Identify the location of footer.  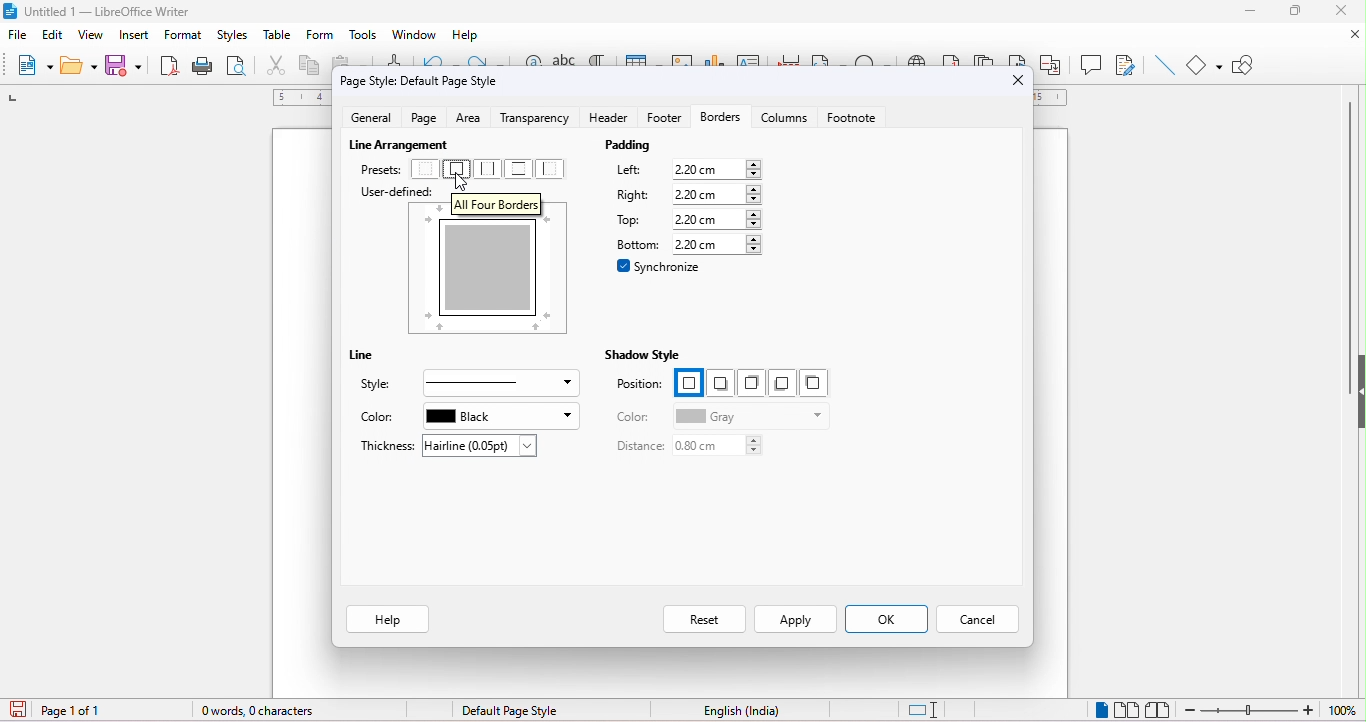
(660, 123).